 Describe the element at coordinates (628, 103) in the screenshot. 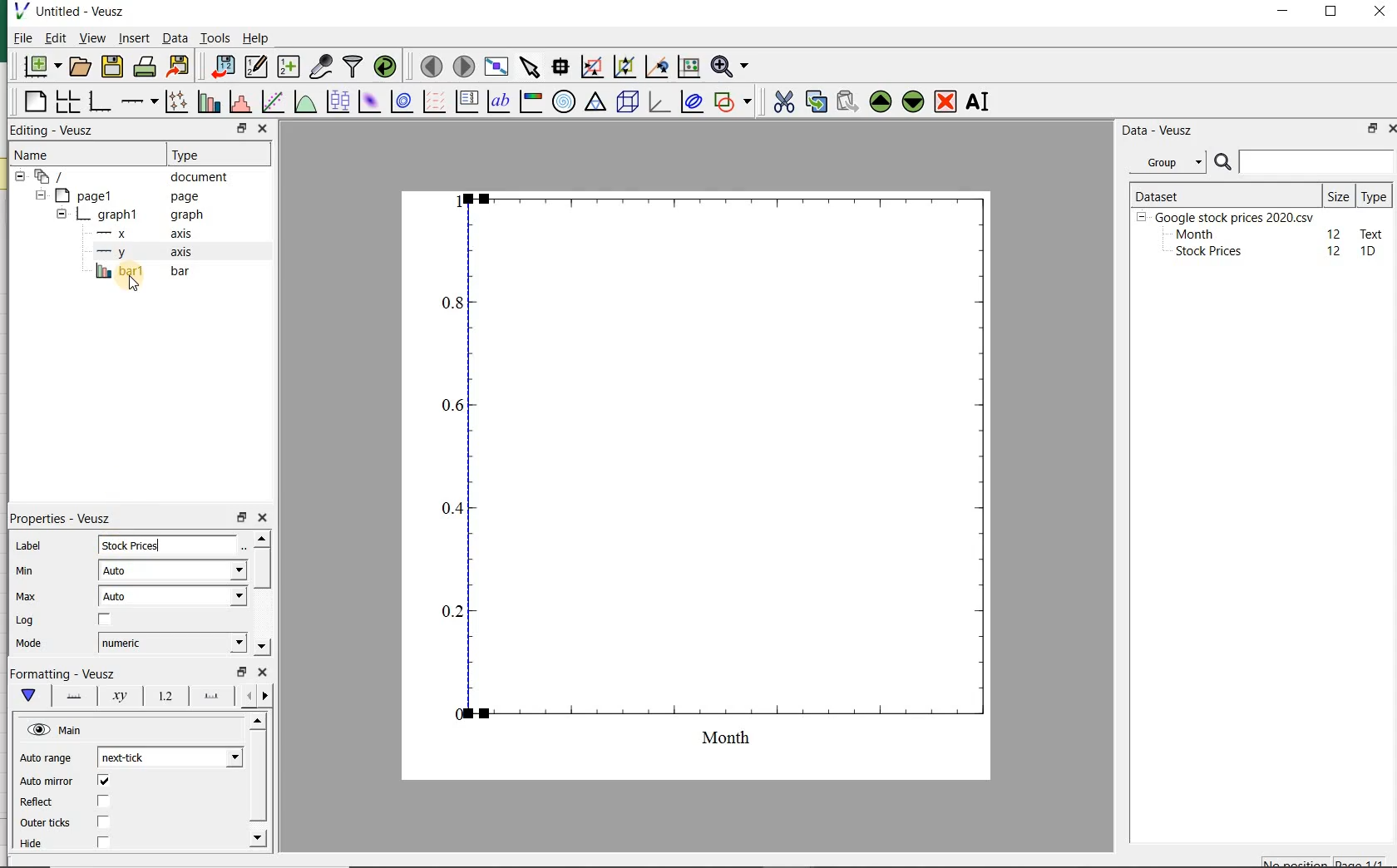

I see `3d scene` at that location.